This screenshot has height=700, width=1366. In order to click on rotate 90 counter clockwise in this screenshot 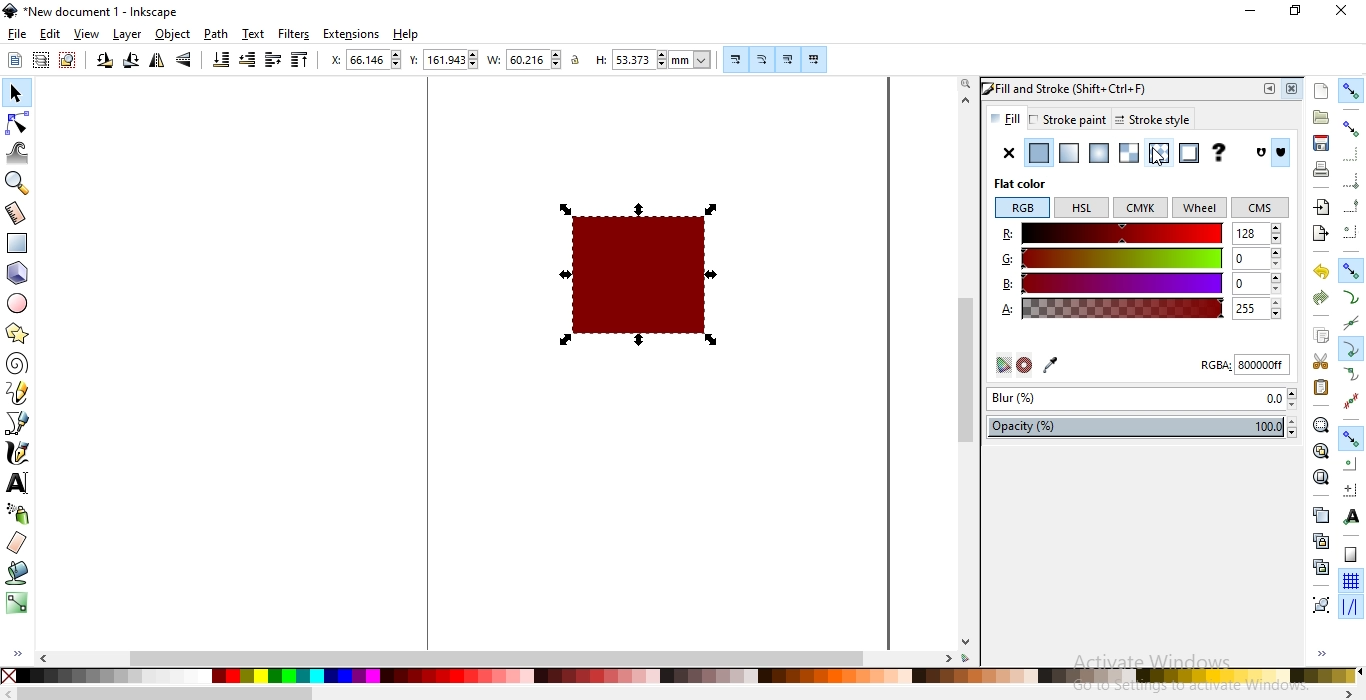, I will do `click(103, 62)`.